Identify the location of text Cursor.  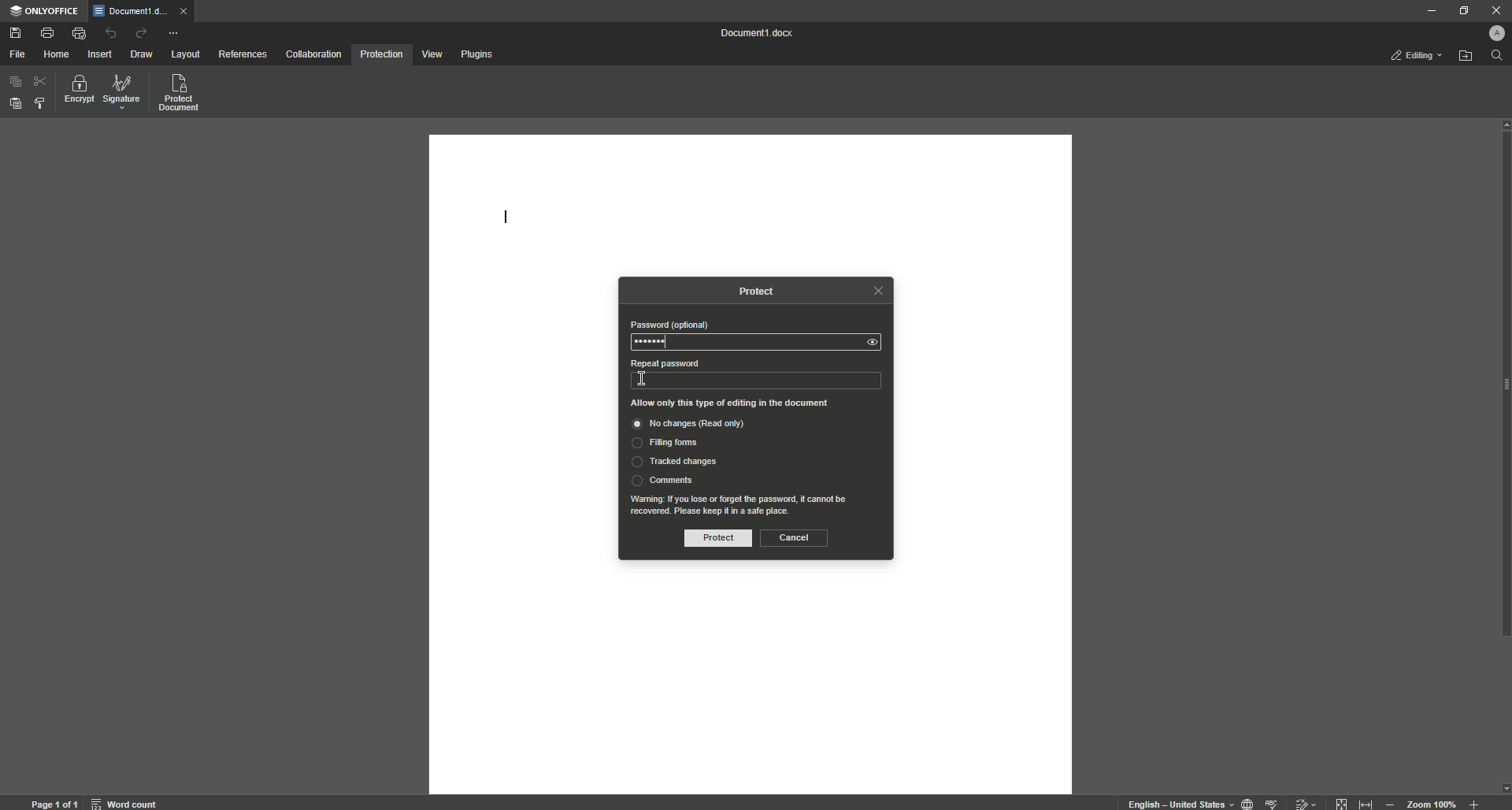
(641, 381).